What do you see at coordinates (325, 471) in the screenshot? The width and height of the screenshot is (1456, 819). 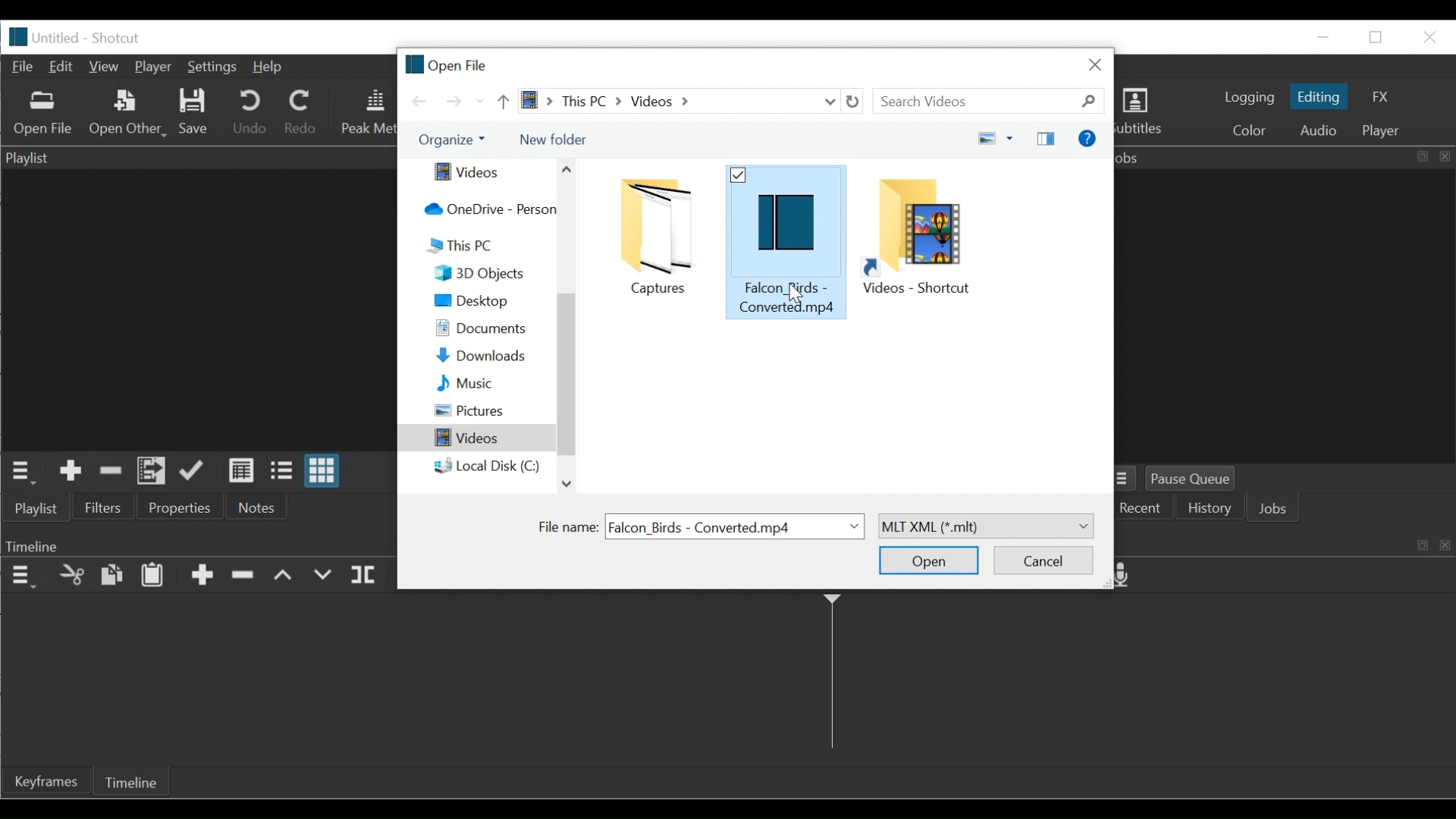 I see `View as icons` at bounding box center [325, 471].